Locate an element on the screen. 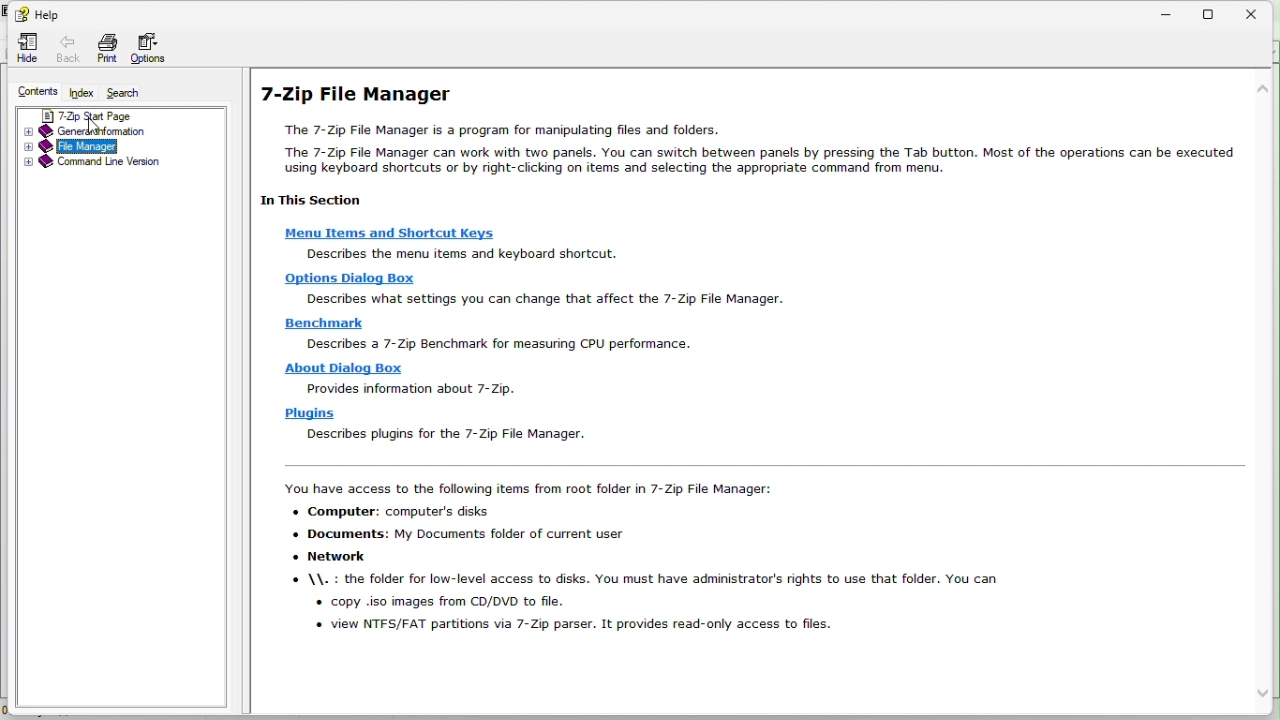 This screenshot has height=720, width=1280. Command line version is located at coordinates (118, 165).